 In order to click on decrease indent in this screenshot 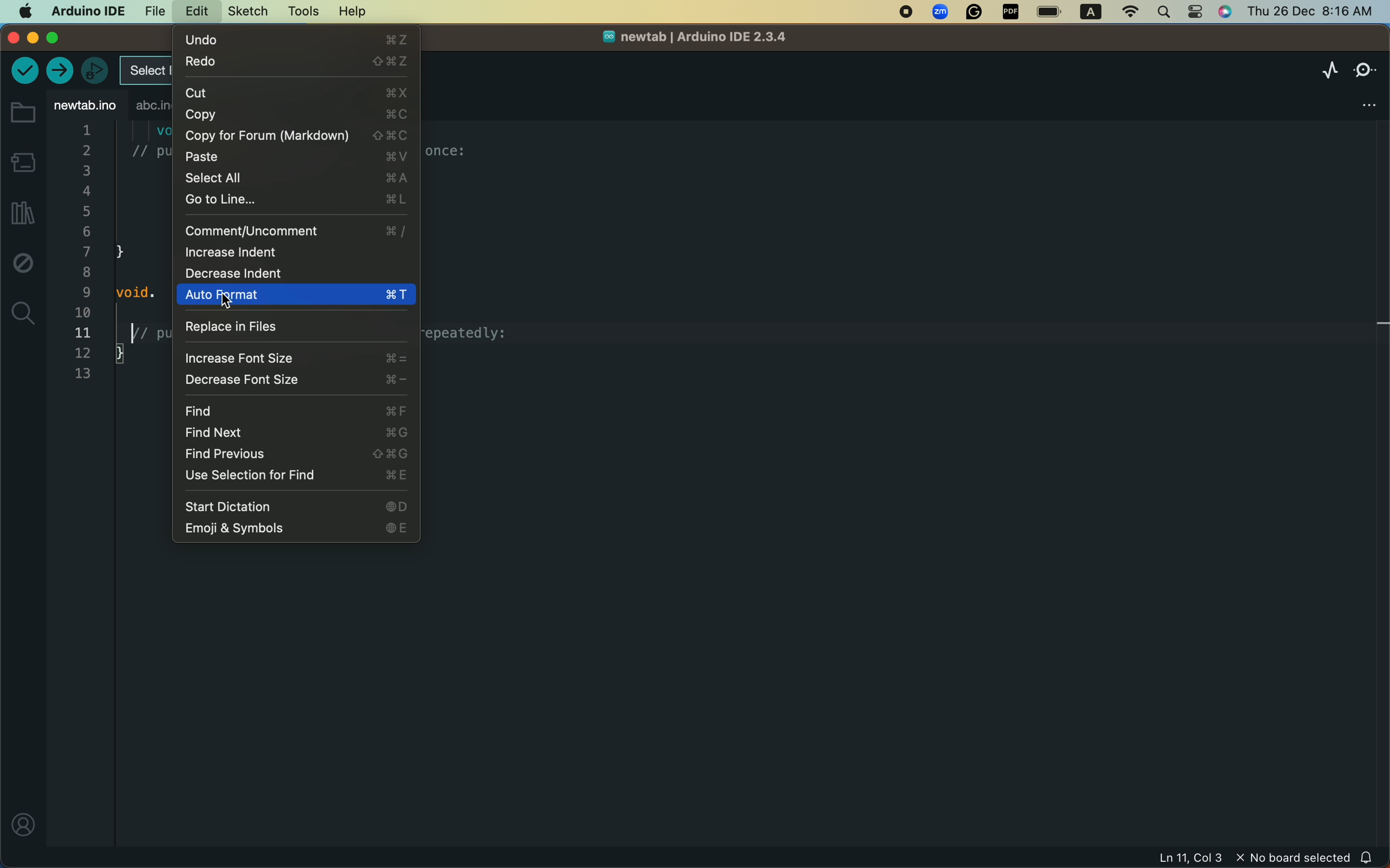, I will do `click(261, 273)`.